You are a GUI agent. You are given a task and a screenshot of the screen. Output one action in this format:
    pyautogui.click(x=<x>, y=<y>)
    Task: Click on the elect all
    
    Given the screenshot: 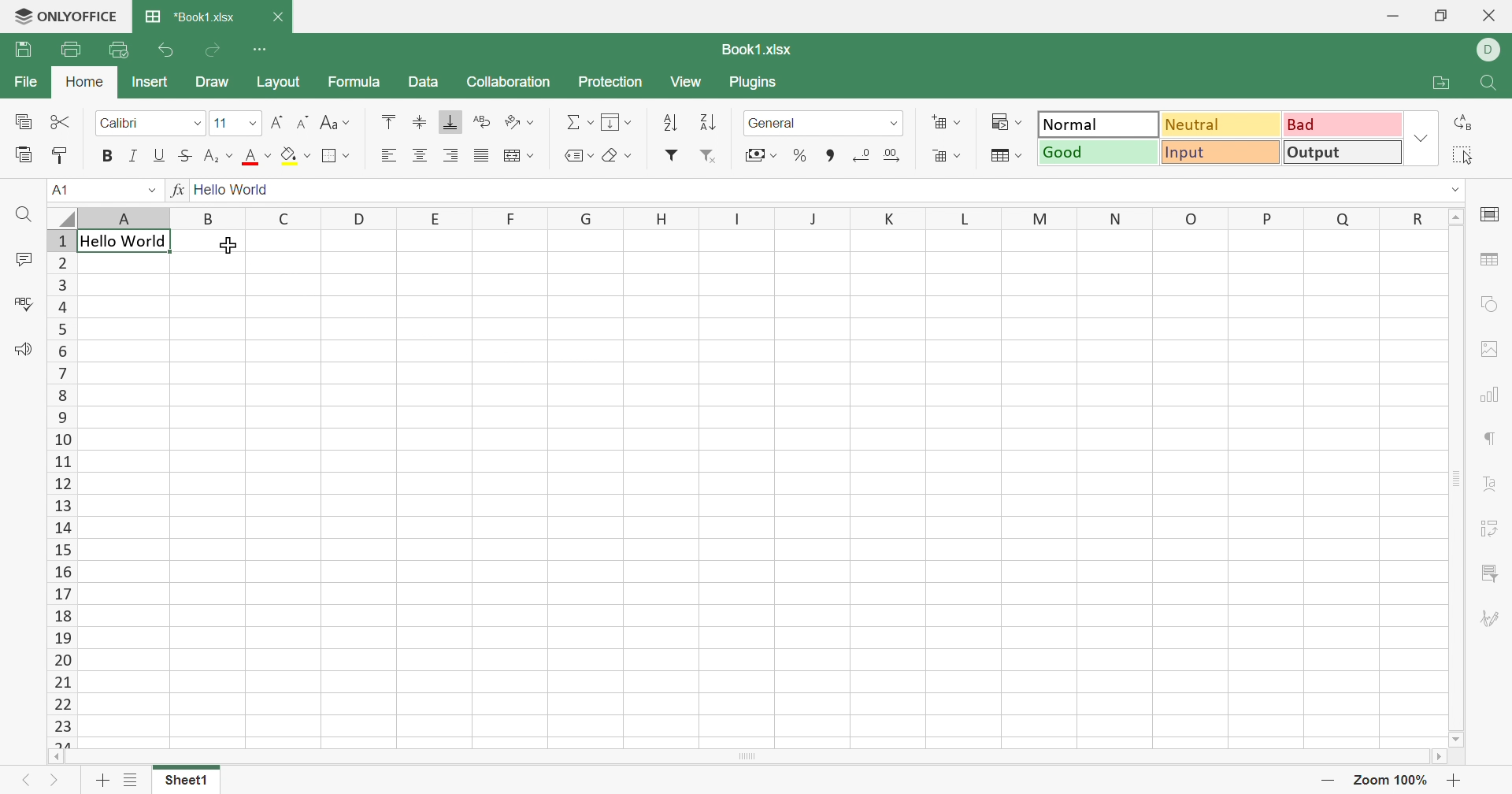 What is the action you would take?
    pyautogui.click(x=1469, y=155)
    